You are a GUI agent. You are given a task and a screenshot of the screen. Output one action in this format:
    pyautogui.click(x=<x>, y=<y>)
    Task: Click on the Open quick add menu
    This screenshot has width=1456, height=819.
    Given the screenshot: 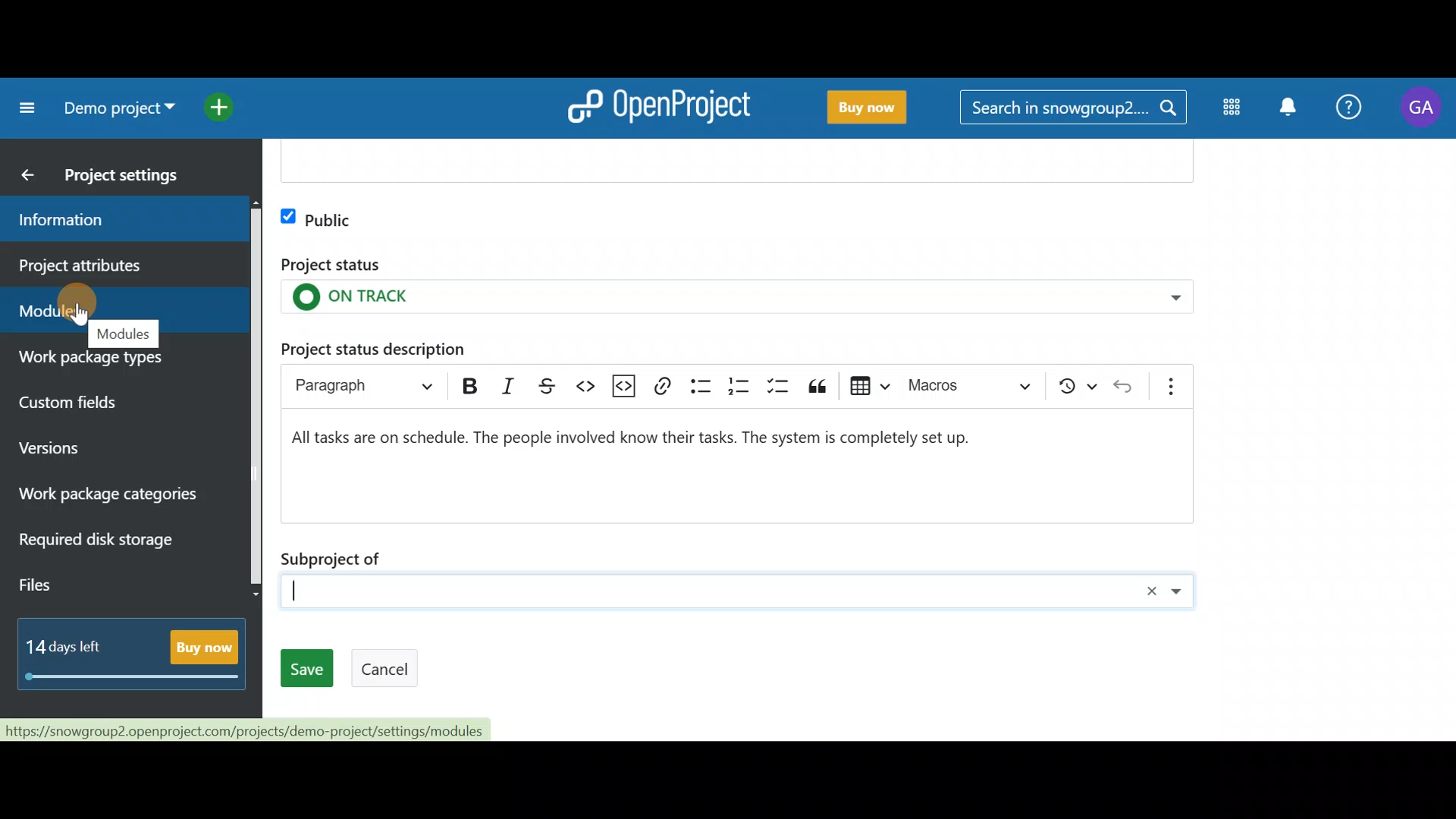 What is the action you would take?
    pyautogui.click(x=223, y=106)
    